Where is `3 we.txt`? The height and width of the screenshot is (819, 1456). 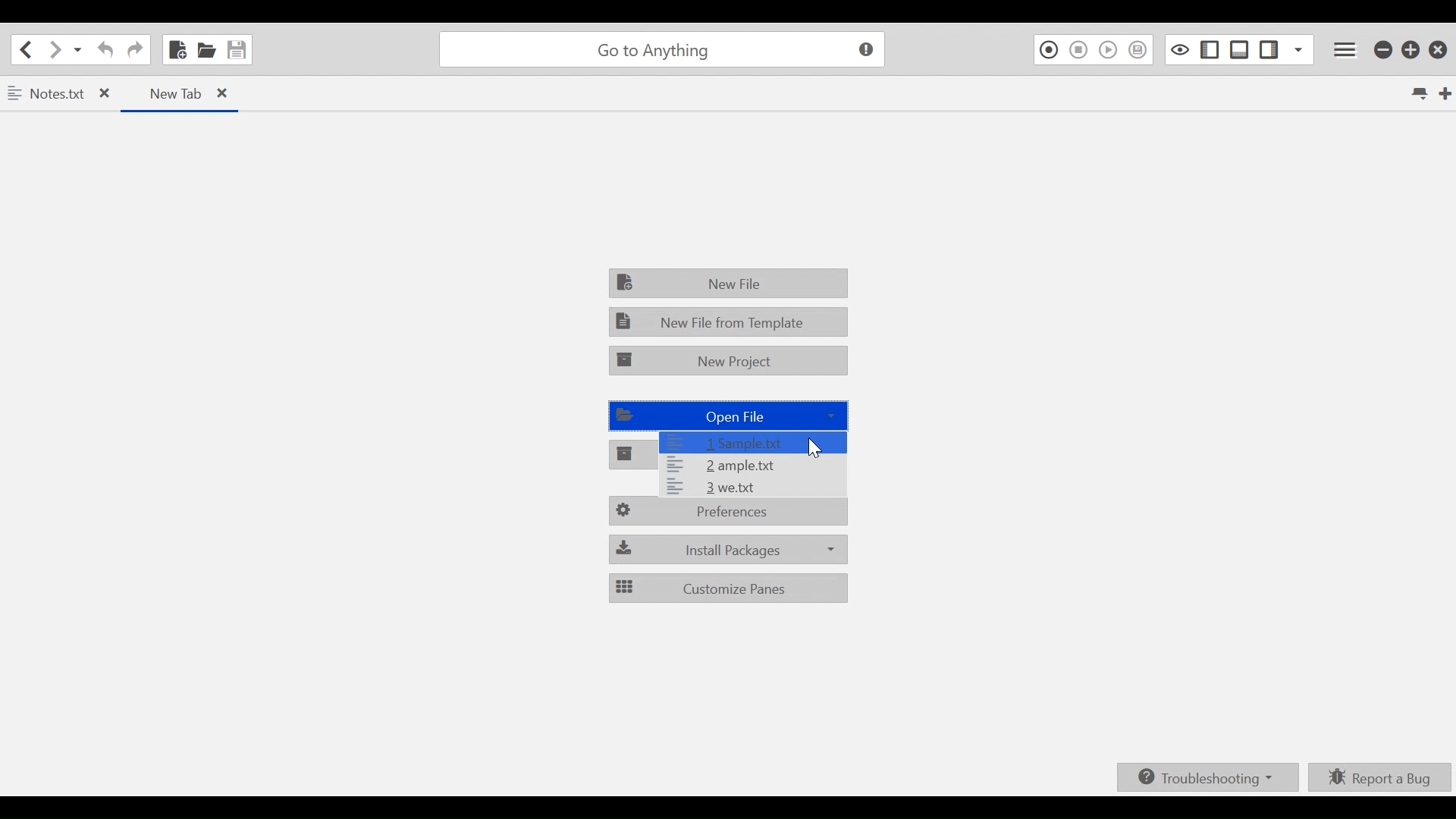 3 we.txt is located at coordinates (752, 488).